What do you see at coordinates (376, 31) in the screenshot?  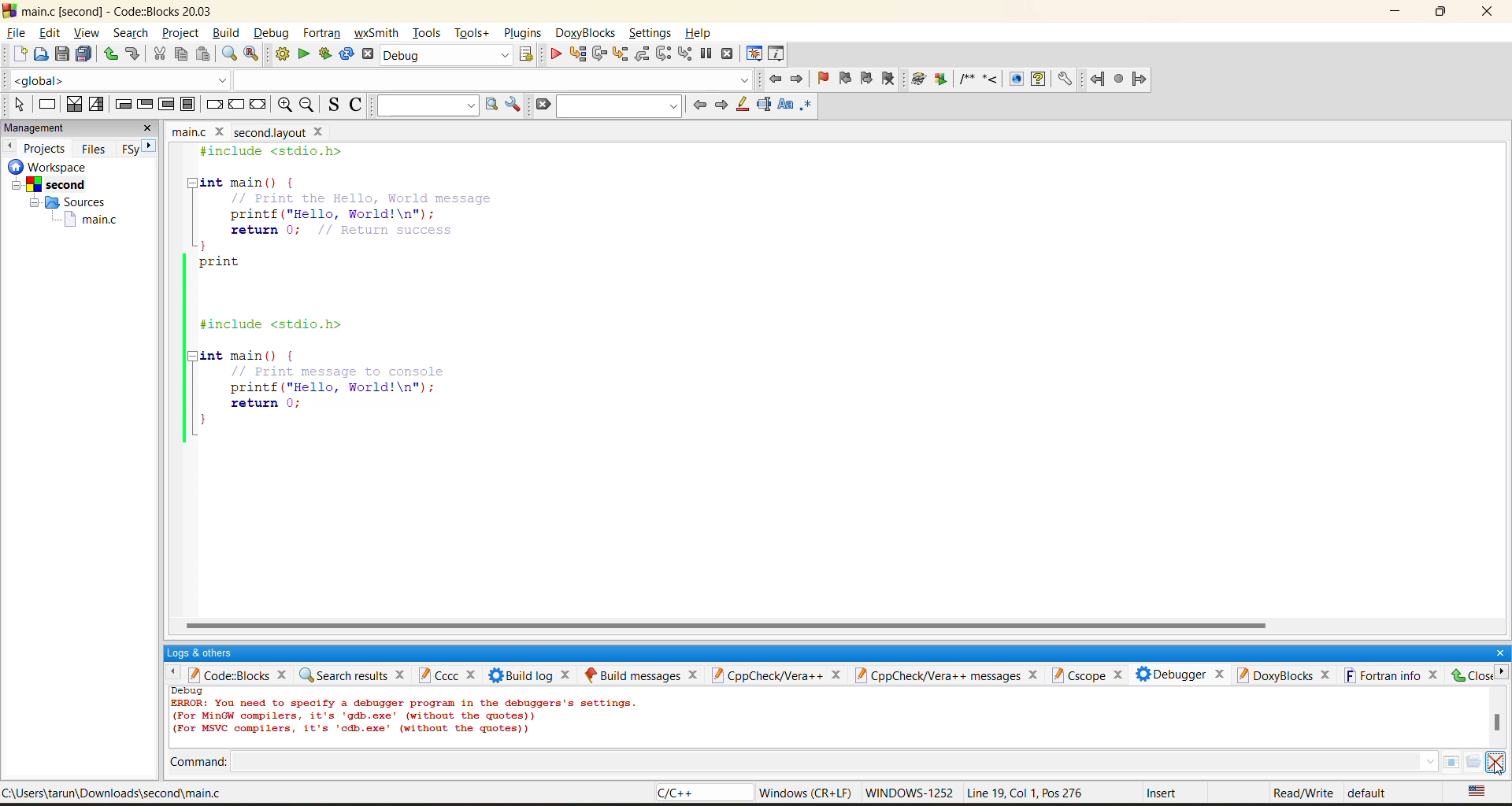 I see `wxsmith` at bounding box center [376, 31].